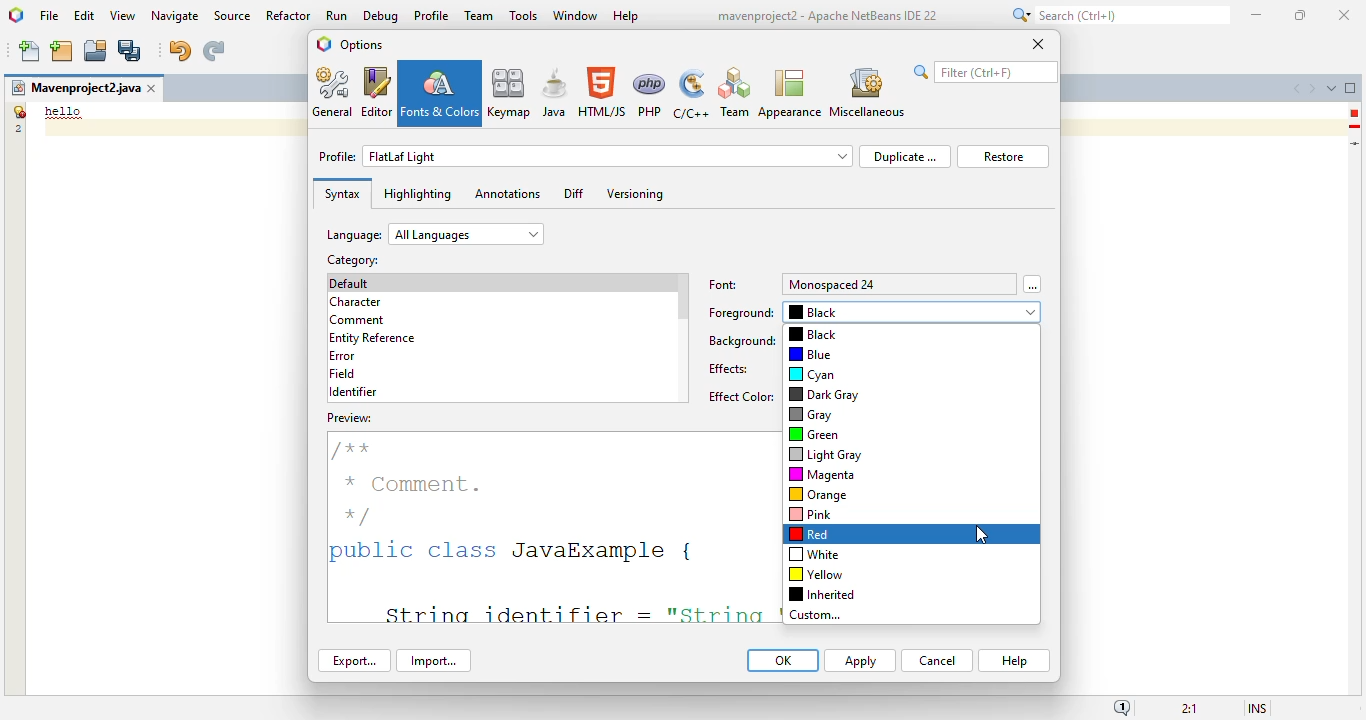 The image size is (1366, 720). I want to click on refactor, so click(289, 15).